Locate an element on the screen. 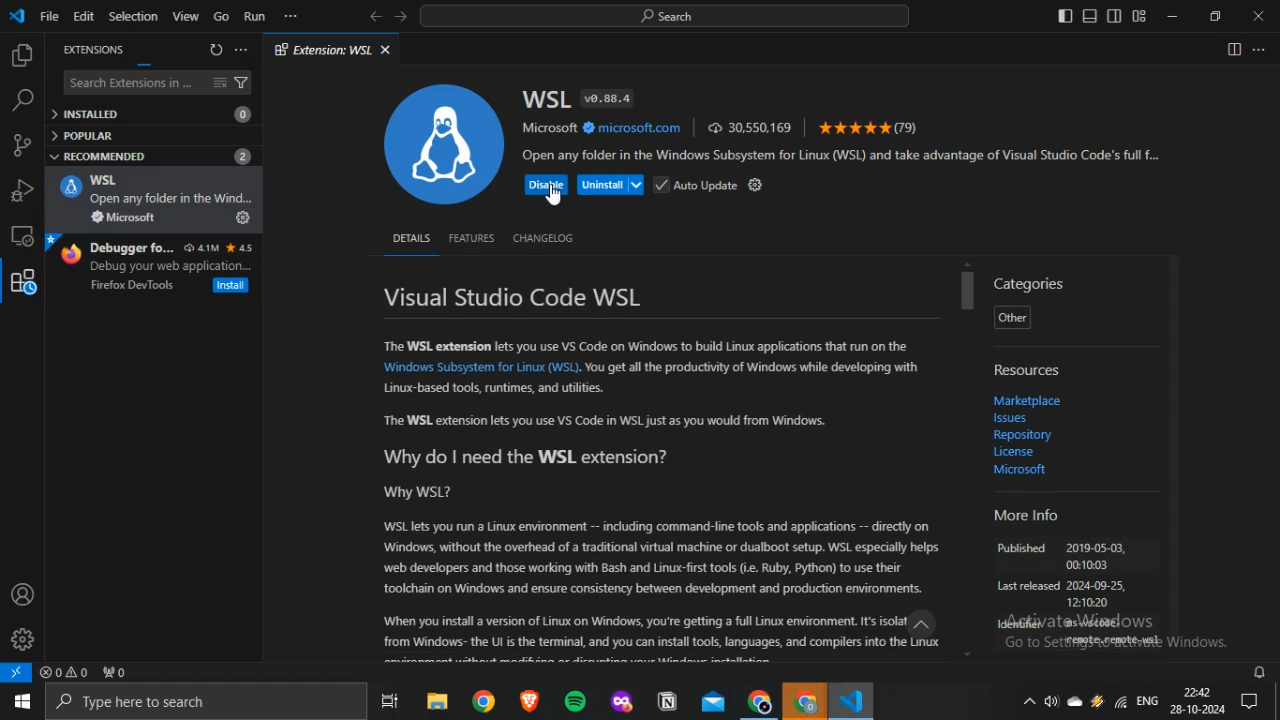 The image size is (1280, 720). Selection is located at coordinates (132, 16).